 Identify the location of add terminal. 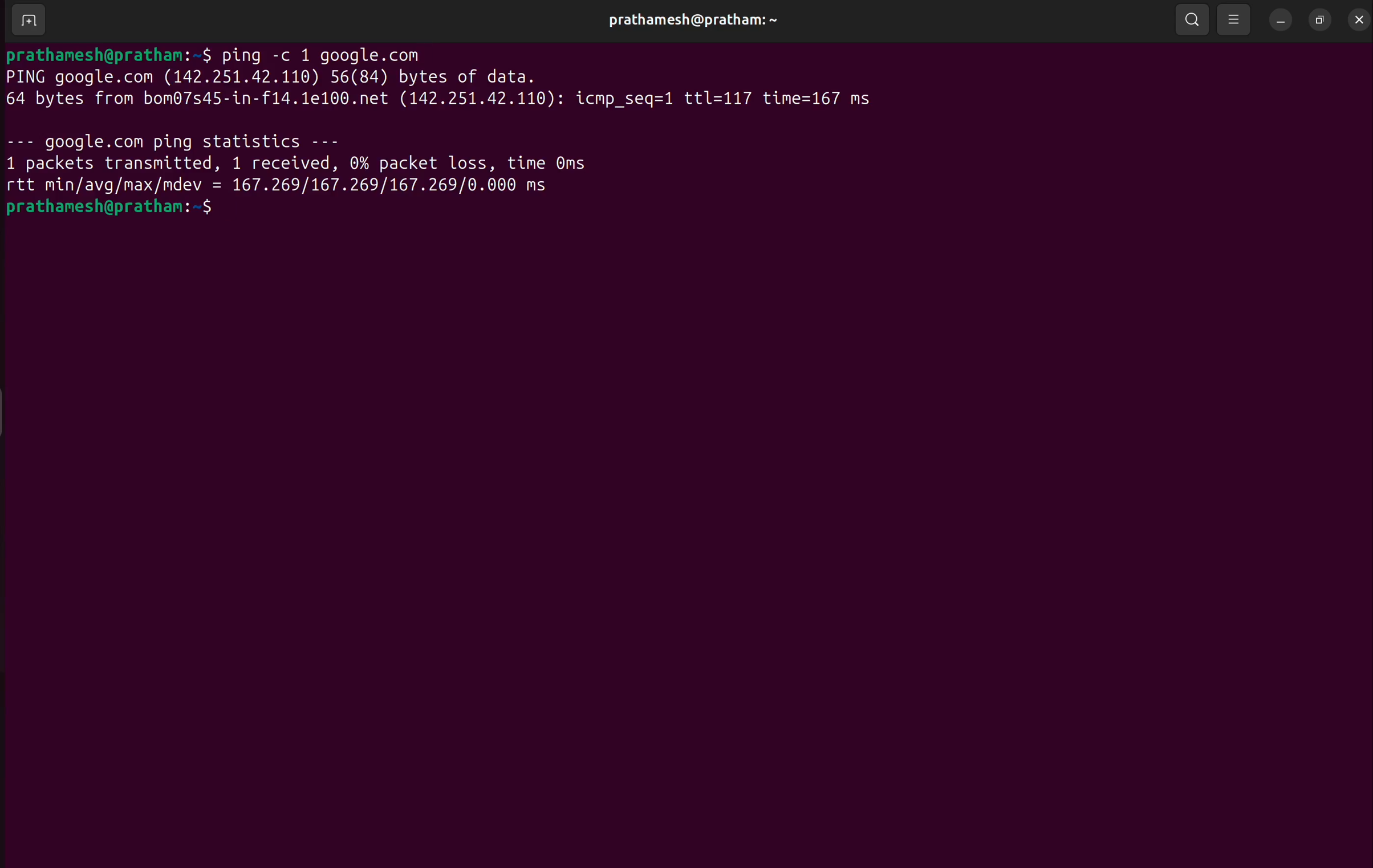
(28, 21).